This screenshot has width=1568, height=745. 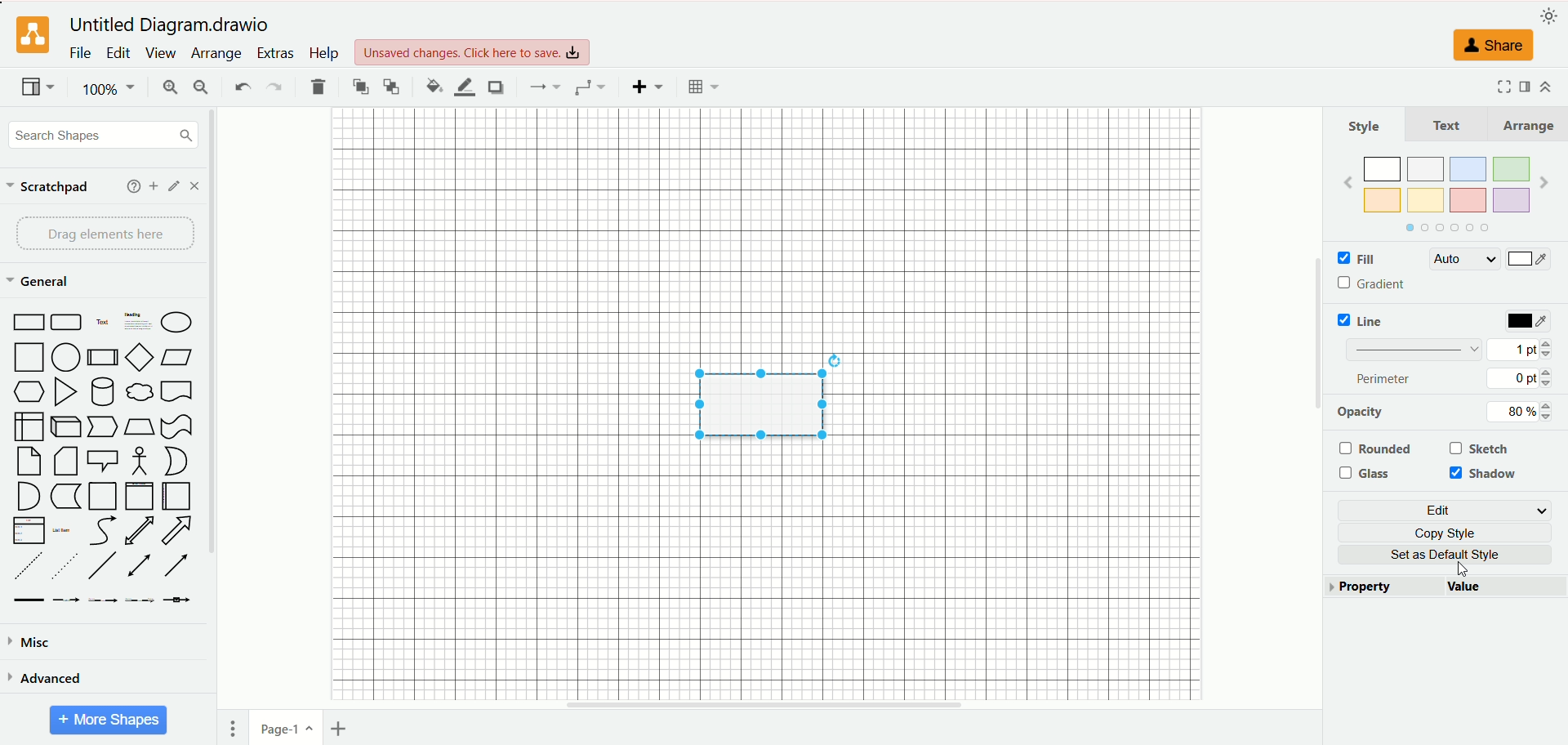 I want to click on search, so click(x=104, y=136).